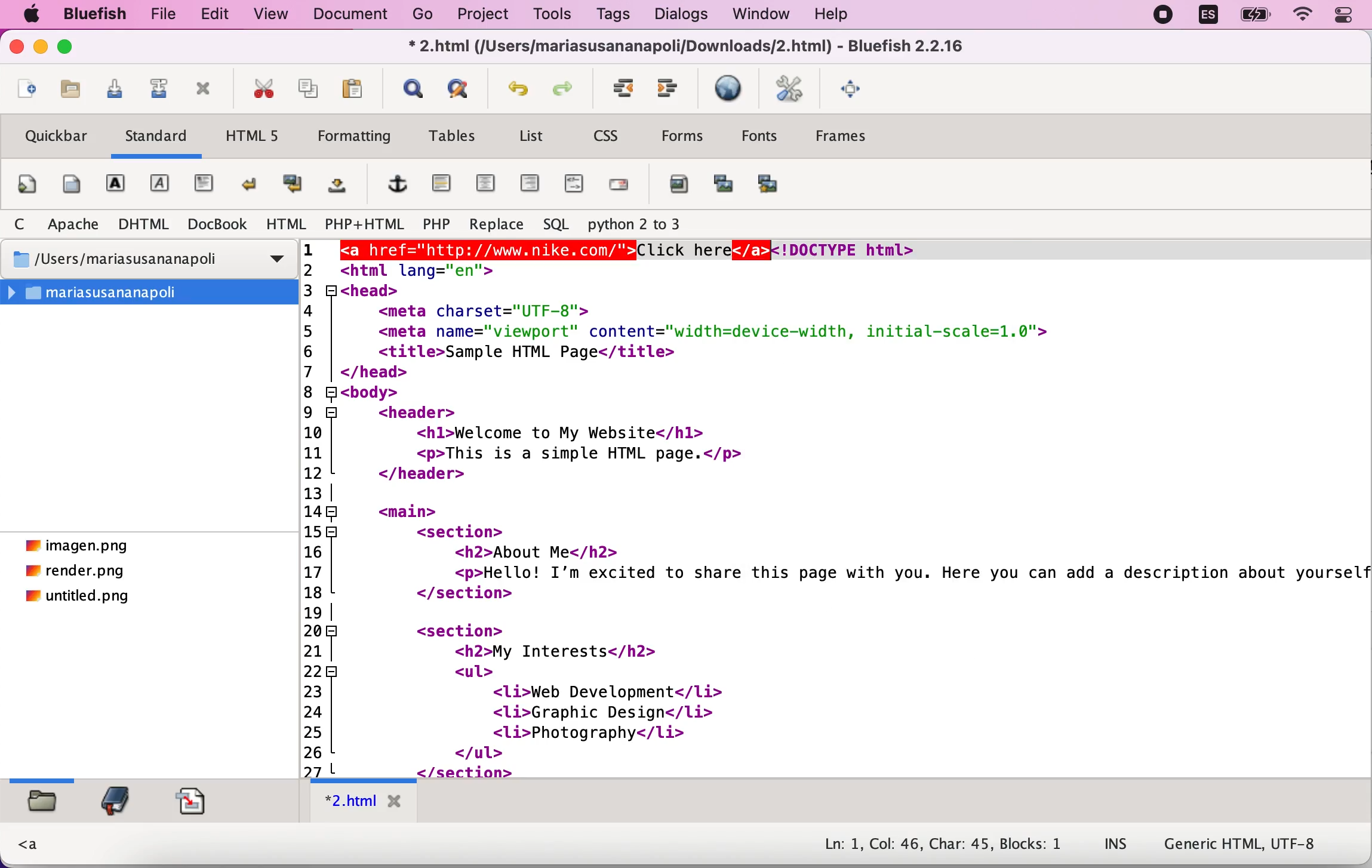 Image resolution: width=1372 pixels, height=868 pixels. What do you see at coordinates (935, 840) in the screenshot?
I see `Ln: 1, Col: 46, Char: 45, Blocks: 1` at bounding box center [935, 840].